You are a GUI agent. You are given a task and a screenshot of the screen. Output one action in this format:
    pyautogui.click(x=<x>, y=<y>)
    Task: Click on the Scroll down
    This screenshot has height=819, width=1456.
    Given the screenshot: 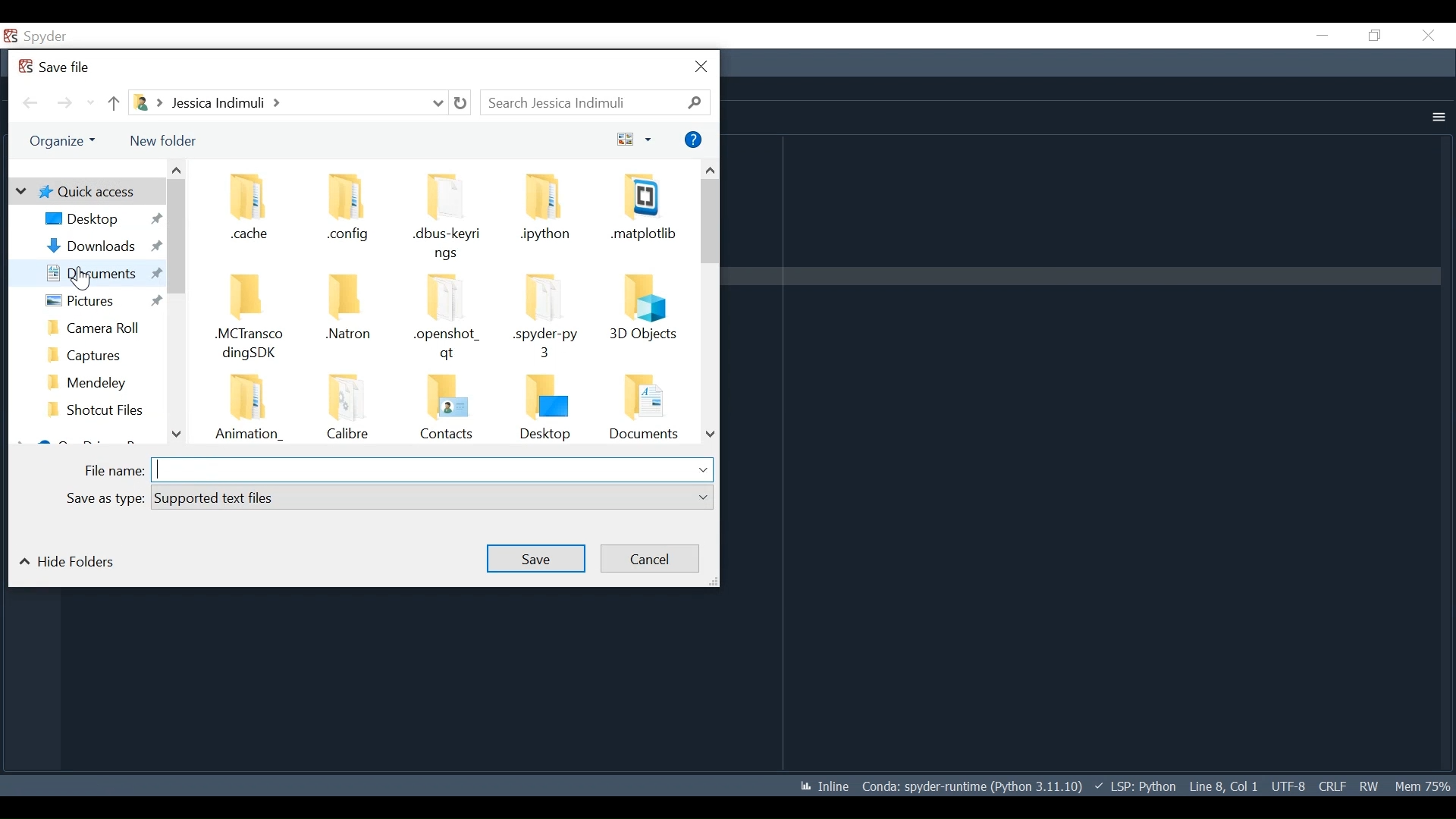 What is the action you would take?
    pyautogui.click(x=176, y=435)
    